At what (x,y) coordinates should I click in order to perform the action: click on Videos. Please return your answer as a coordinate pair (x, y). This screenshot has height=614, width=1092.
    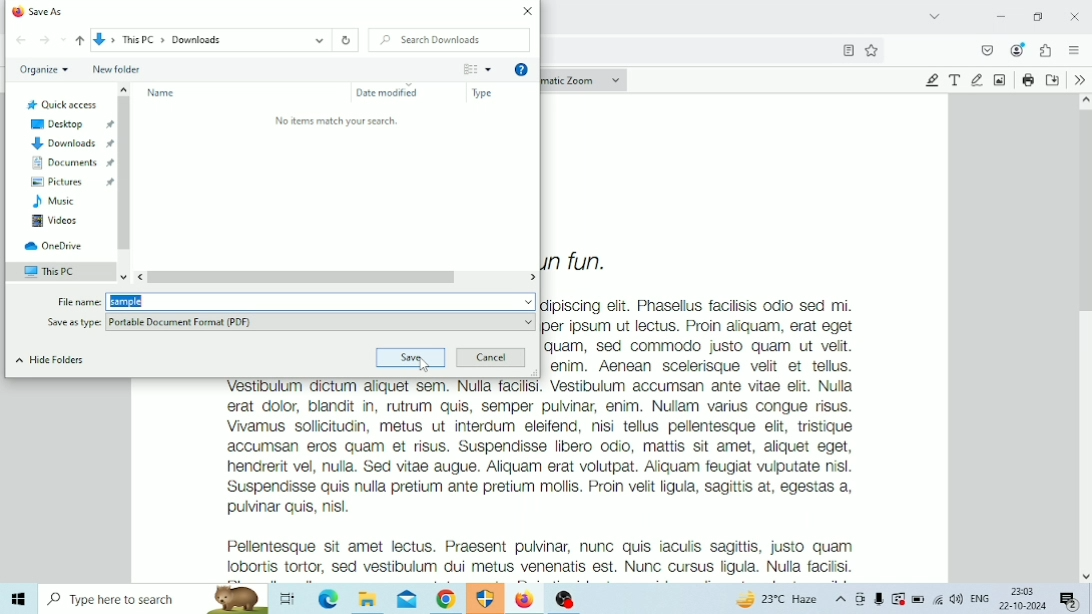
    Looking at the image, I should click on (57, 221).